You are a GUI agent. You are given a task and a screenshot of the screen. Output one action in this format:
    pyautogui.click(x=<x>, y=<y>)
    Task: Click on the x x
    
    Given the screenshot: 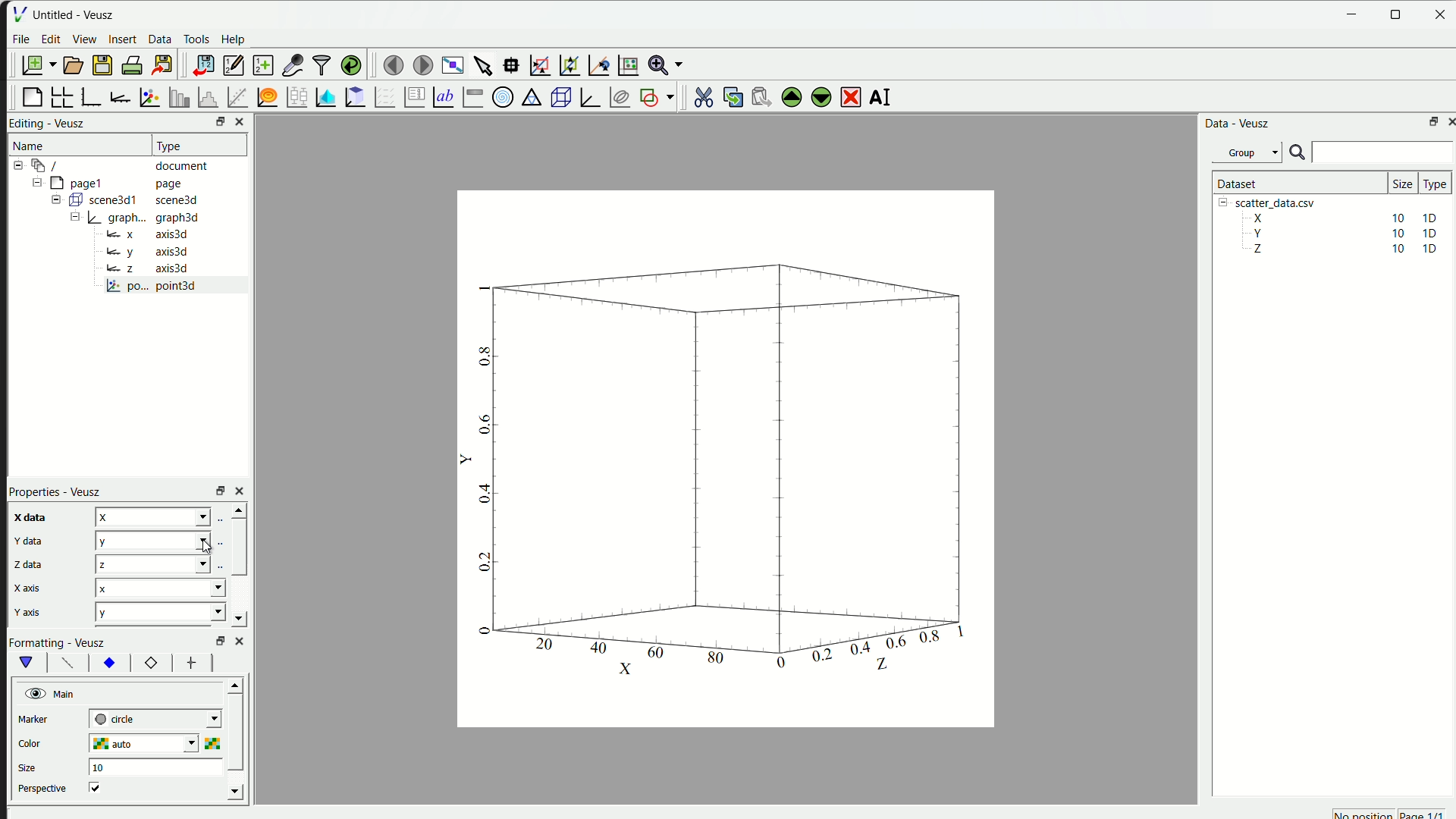 What is the action you would take?
    pyautogui.click(x=168, y=565)
    